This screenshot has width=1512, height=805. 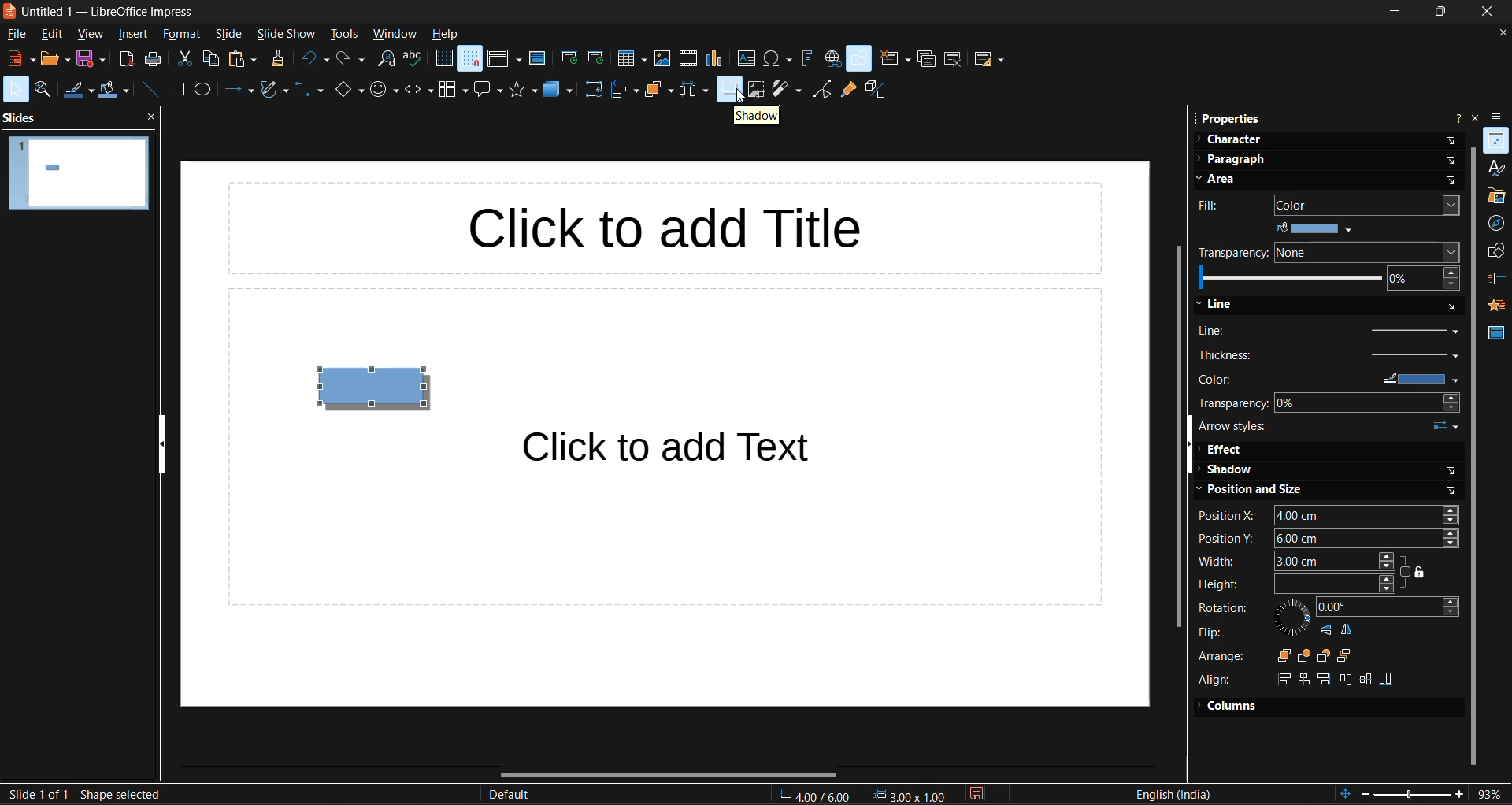 I want to click on shape selected, so click(x=120, y=793).